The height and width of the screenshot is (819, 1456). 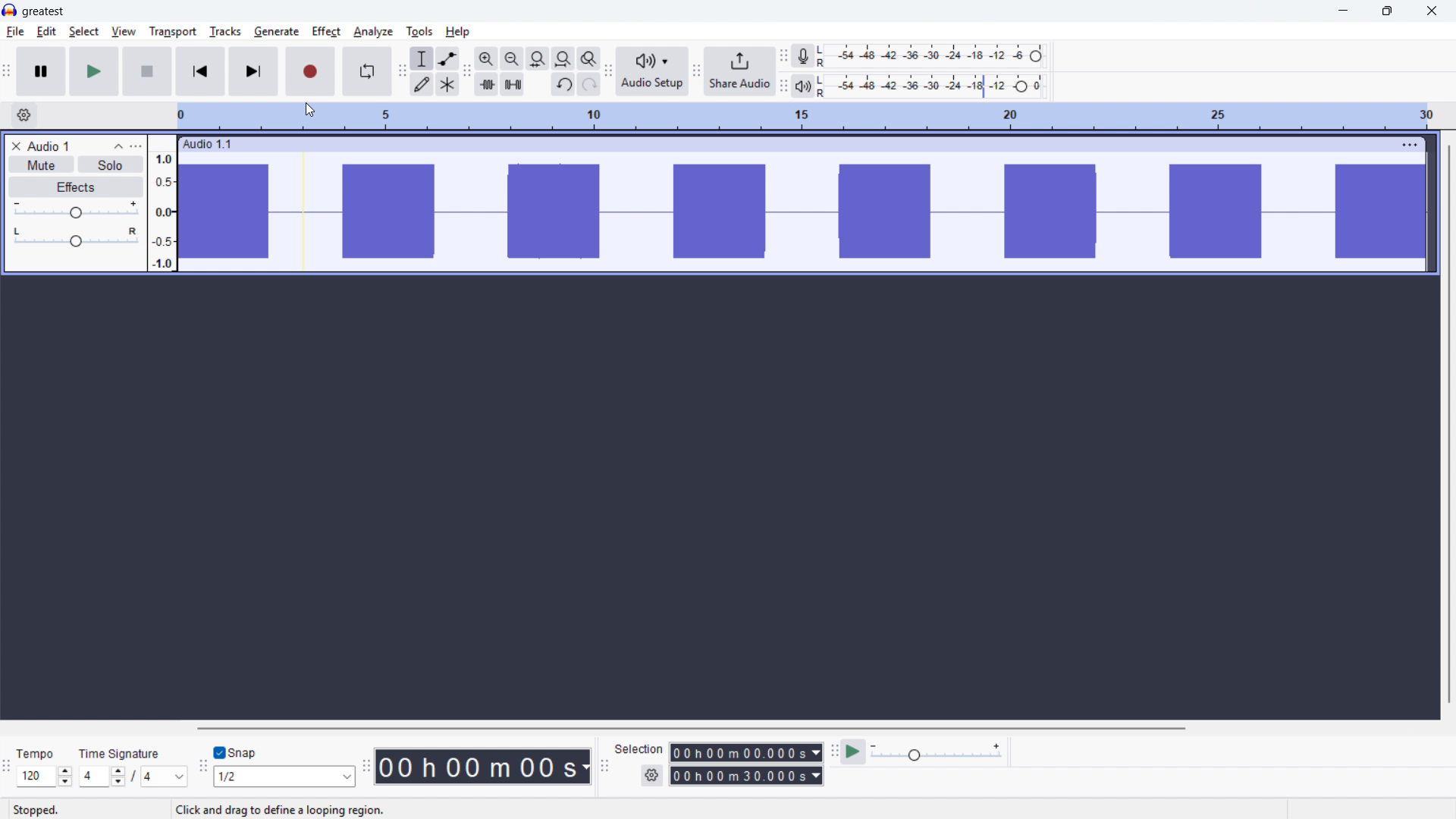 I want to click on tempo, so click(x=39, y=754).